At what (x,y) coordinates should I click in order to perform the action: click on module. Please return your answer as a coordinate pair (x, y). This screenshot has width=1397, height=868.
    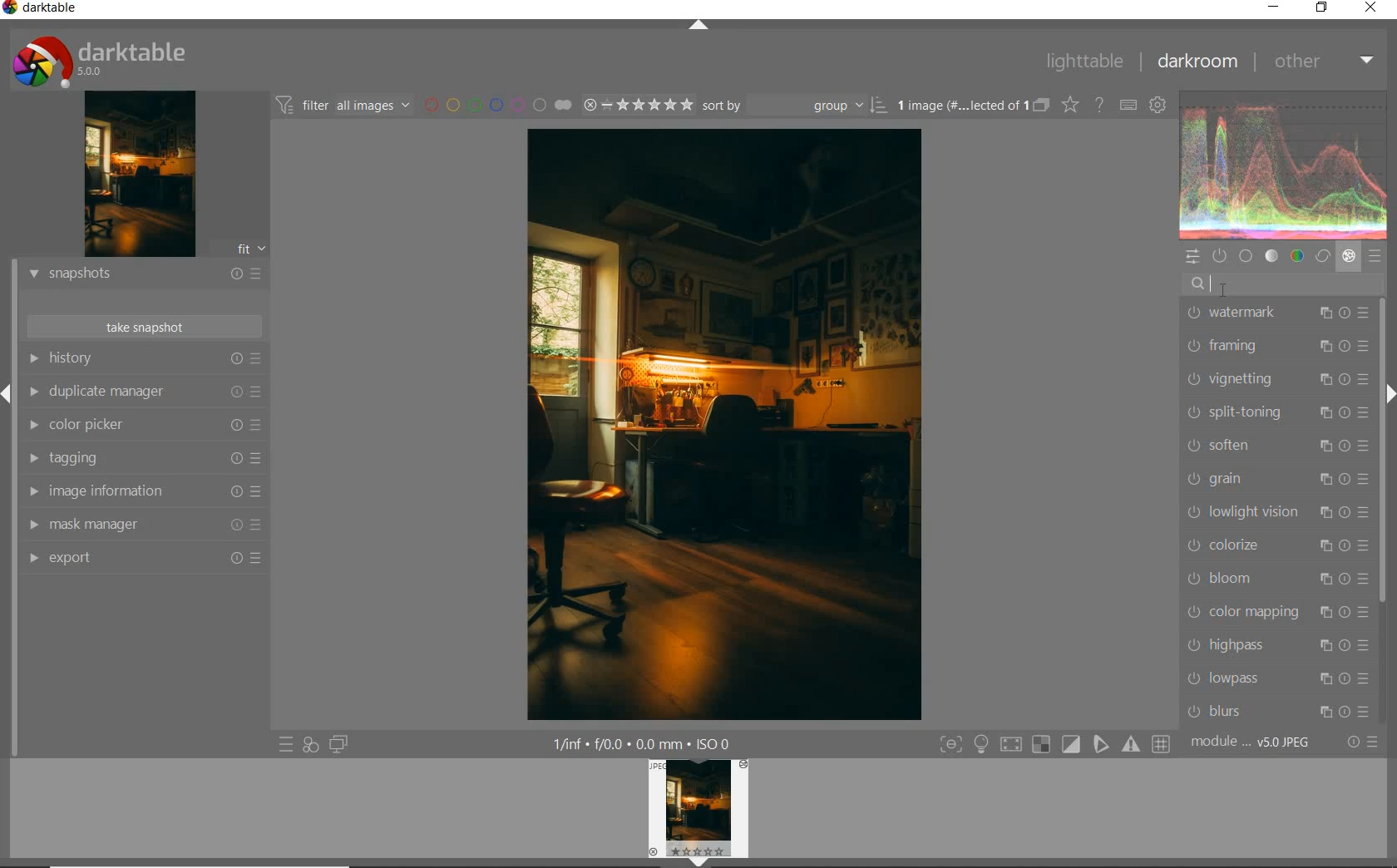
    Looking at the image, I should click on (1255, 743).